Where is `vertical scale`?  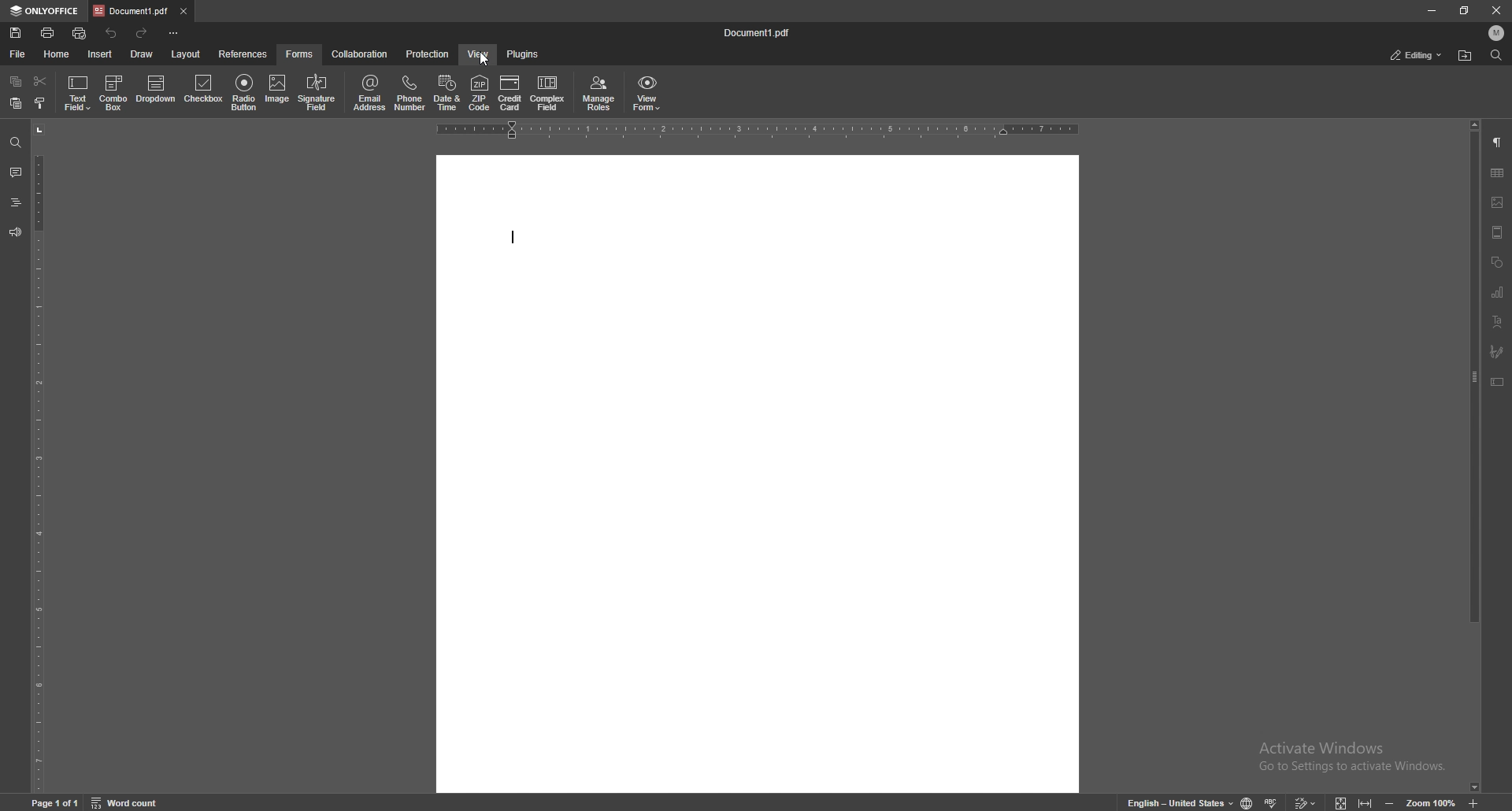
vertical scale is located at coordinates (39, 457).